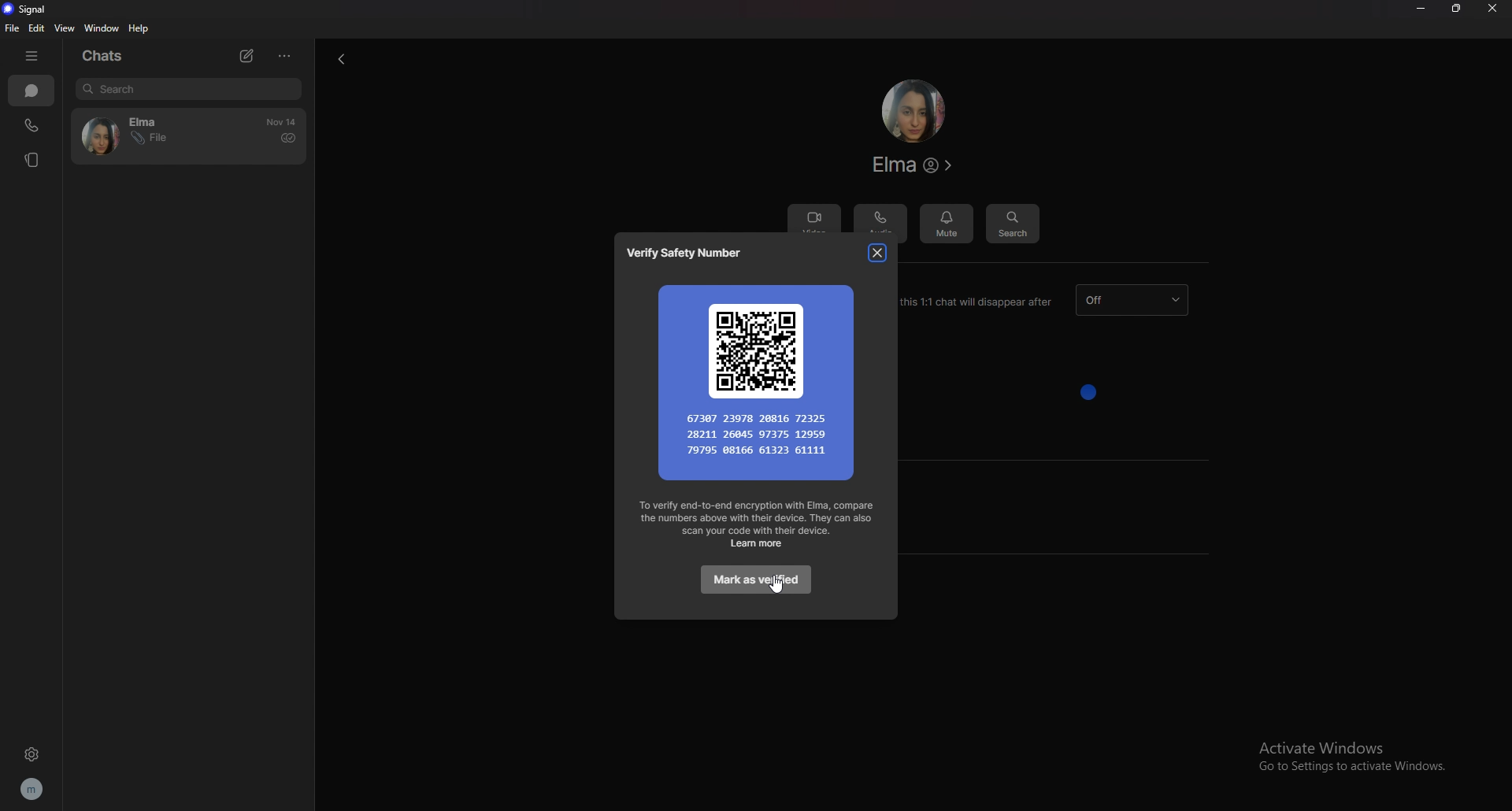 This screenshot has height=811, width=1512. I want to click on signal, so click(30, 10).